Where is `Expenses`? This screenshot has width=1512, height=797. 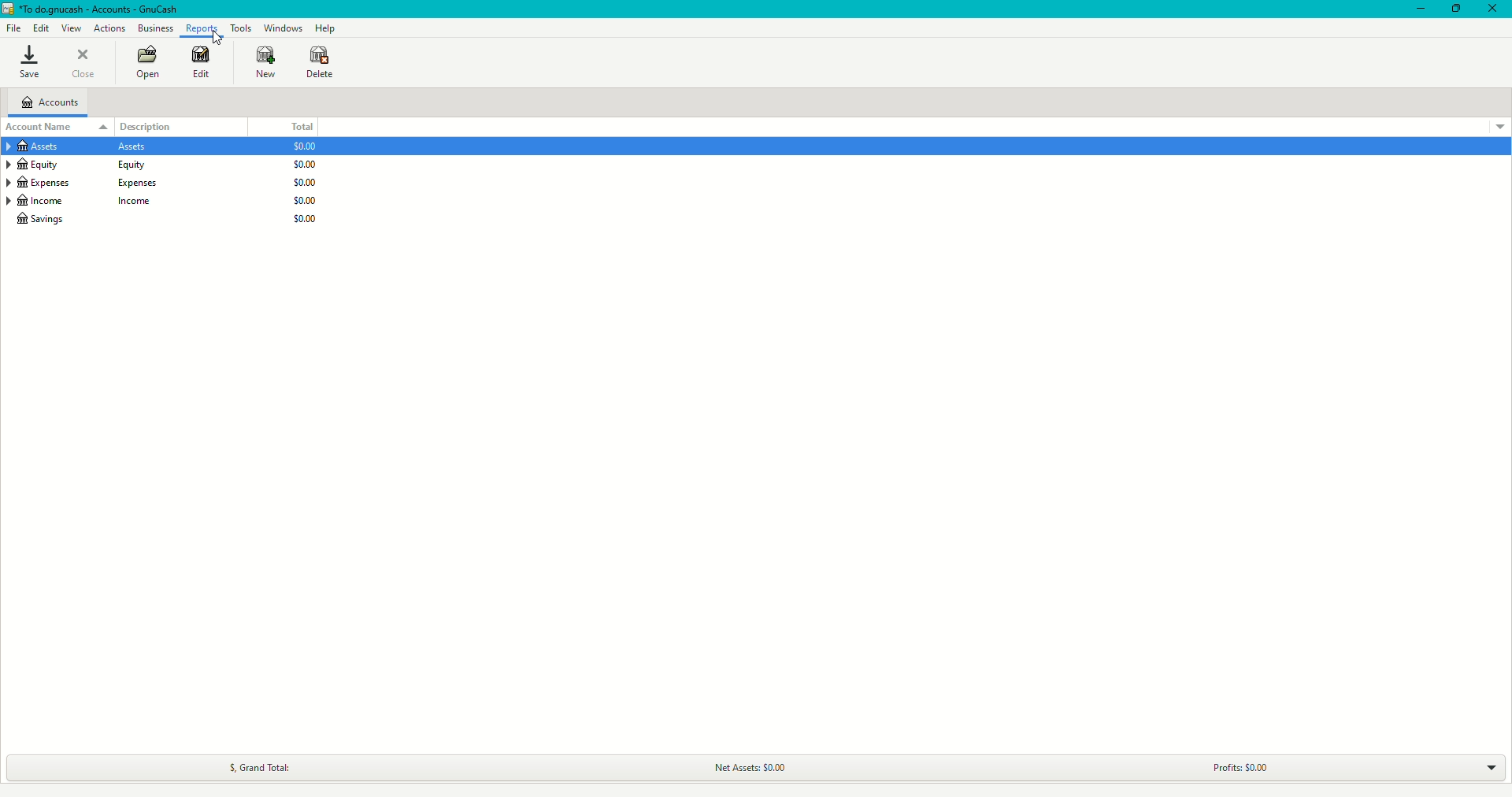
Expenses is located at coordinates (91, 183).